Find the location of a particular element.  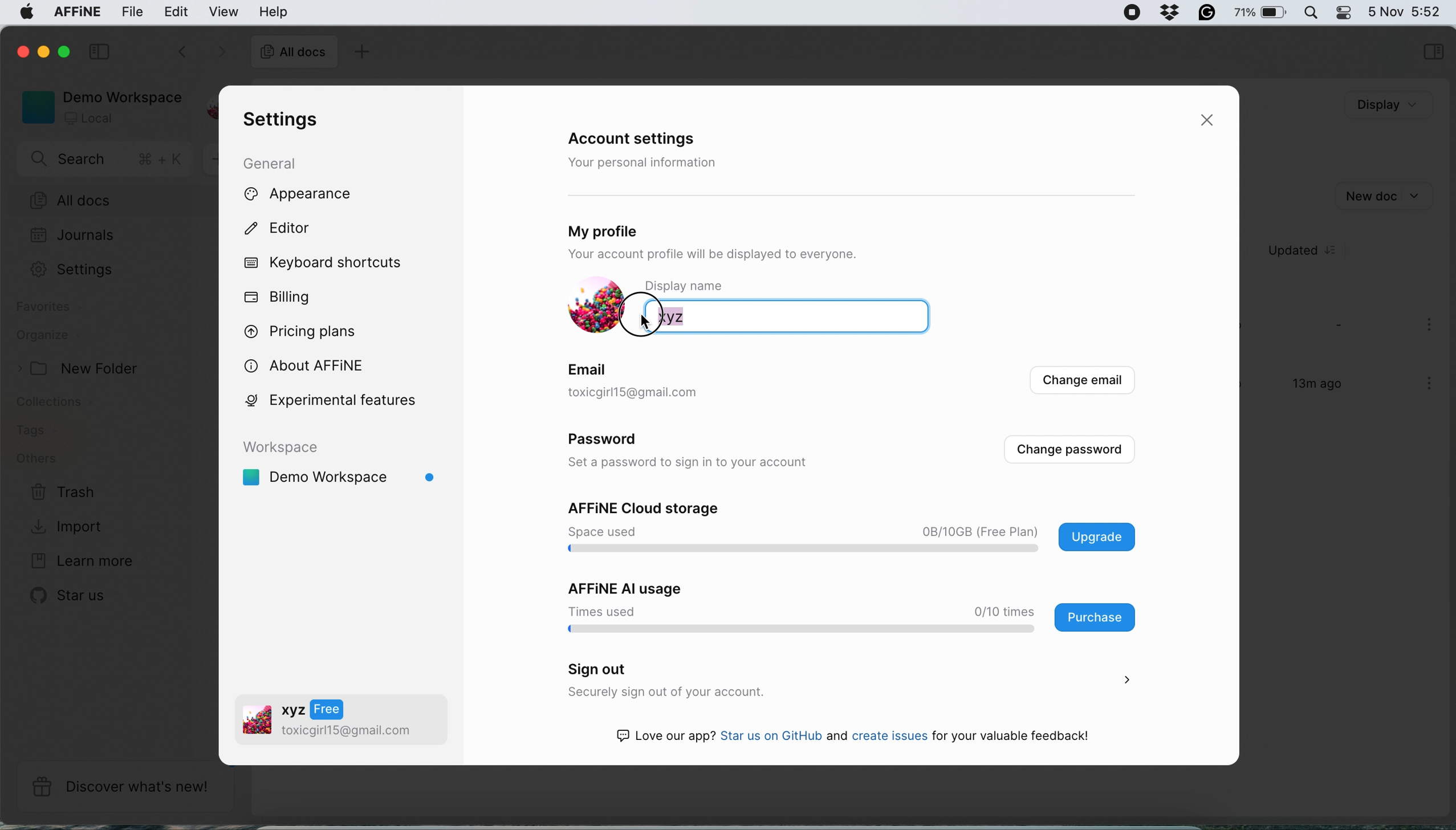

all docs is located at coordinates (294, 54).